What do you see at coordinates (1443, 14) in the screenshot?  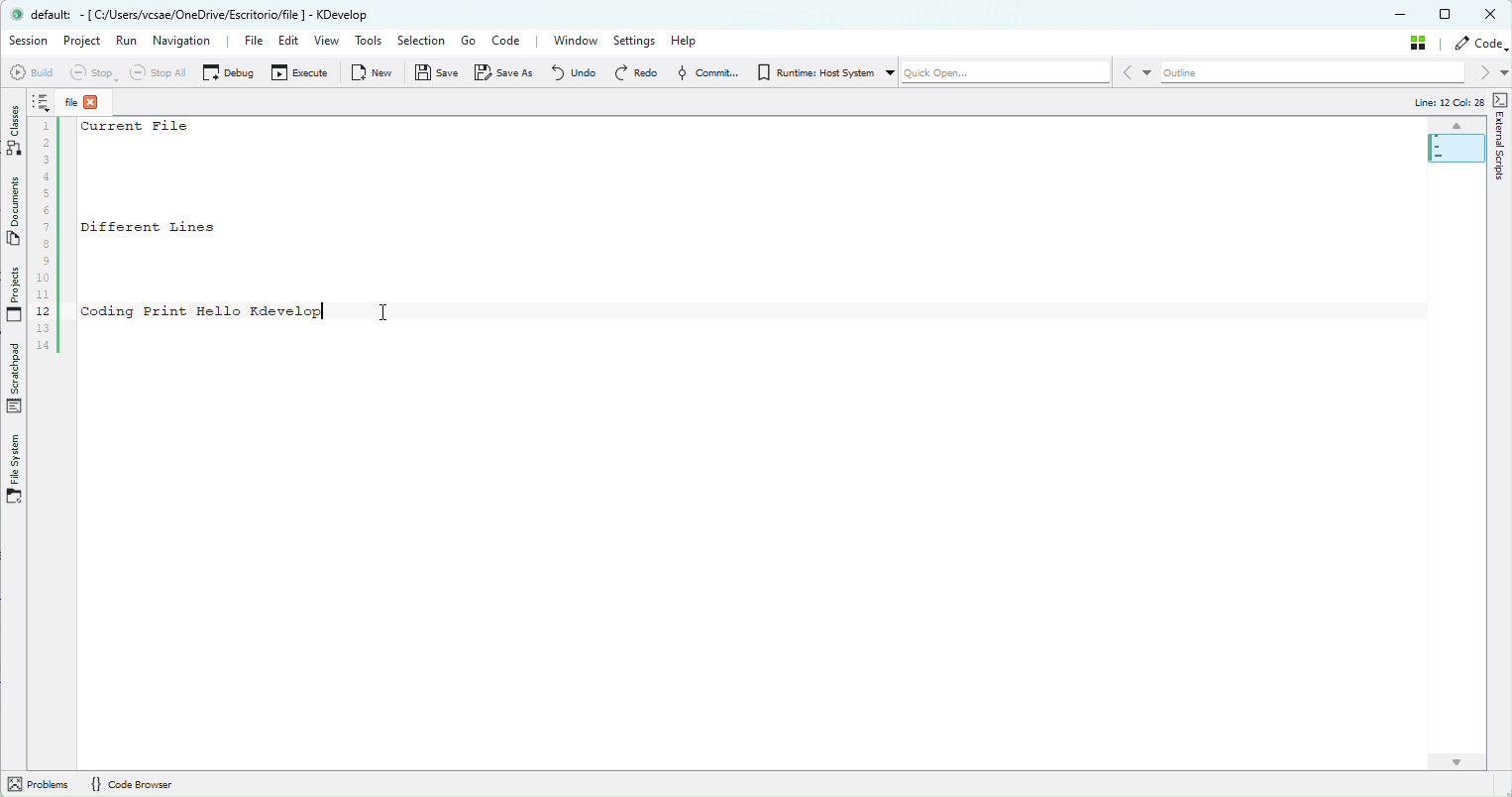 I see `Maximize` at bounding box center [1443, 14].